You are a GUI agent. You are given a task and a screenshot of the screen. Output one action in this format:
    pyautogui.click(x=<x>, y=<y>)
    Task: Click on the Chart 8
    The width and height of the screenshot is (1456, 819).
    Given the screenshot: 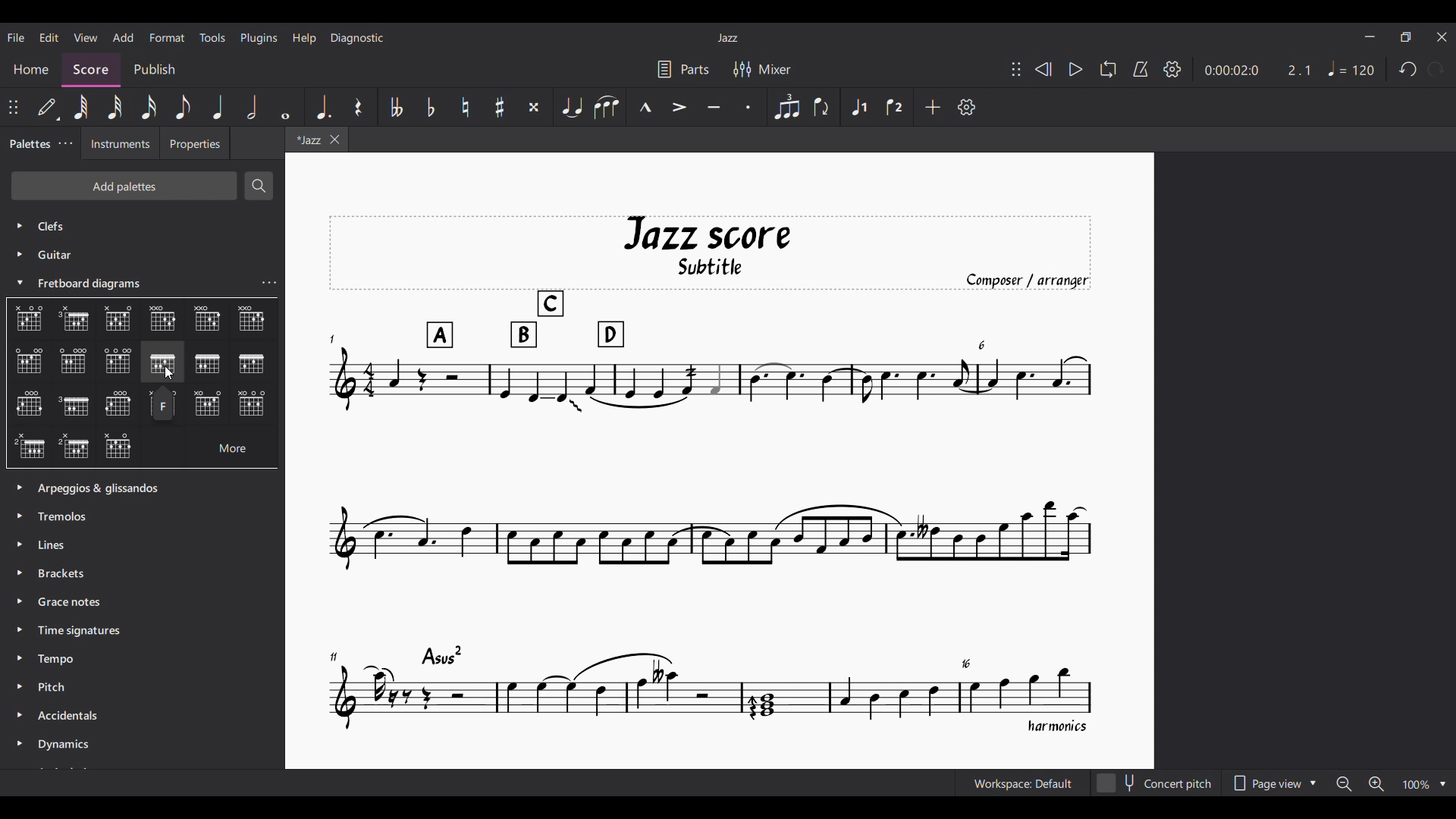 What is the action you would take?
    pyautogui.click(x=117, y=359)
    